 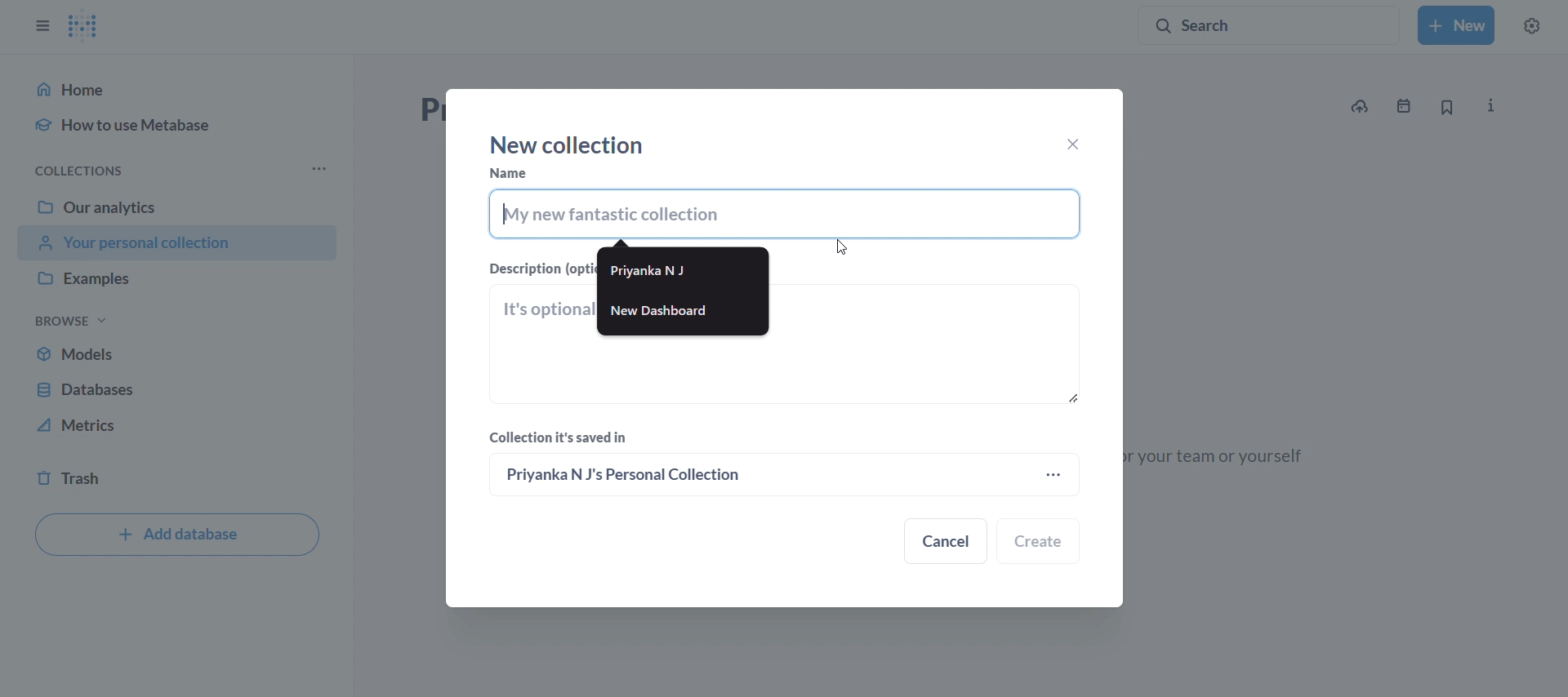 What do you see at coordinates (1070, 144) in the screenshot?
I see `close` at bounding box center [1070, 144].